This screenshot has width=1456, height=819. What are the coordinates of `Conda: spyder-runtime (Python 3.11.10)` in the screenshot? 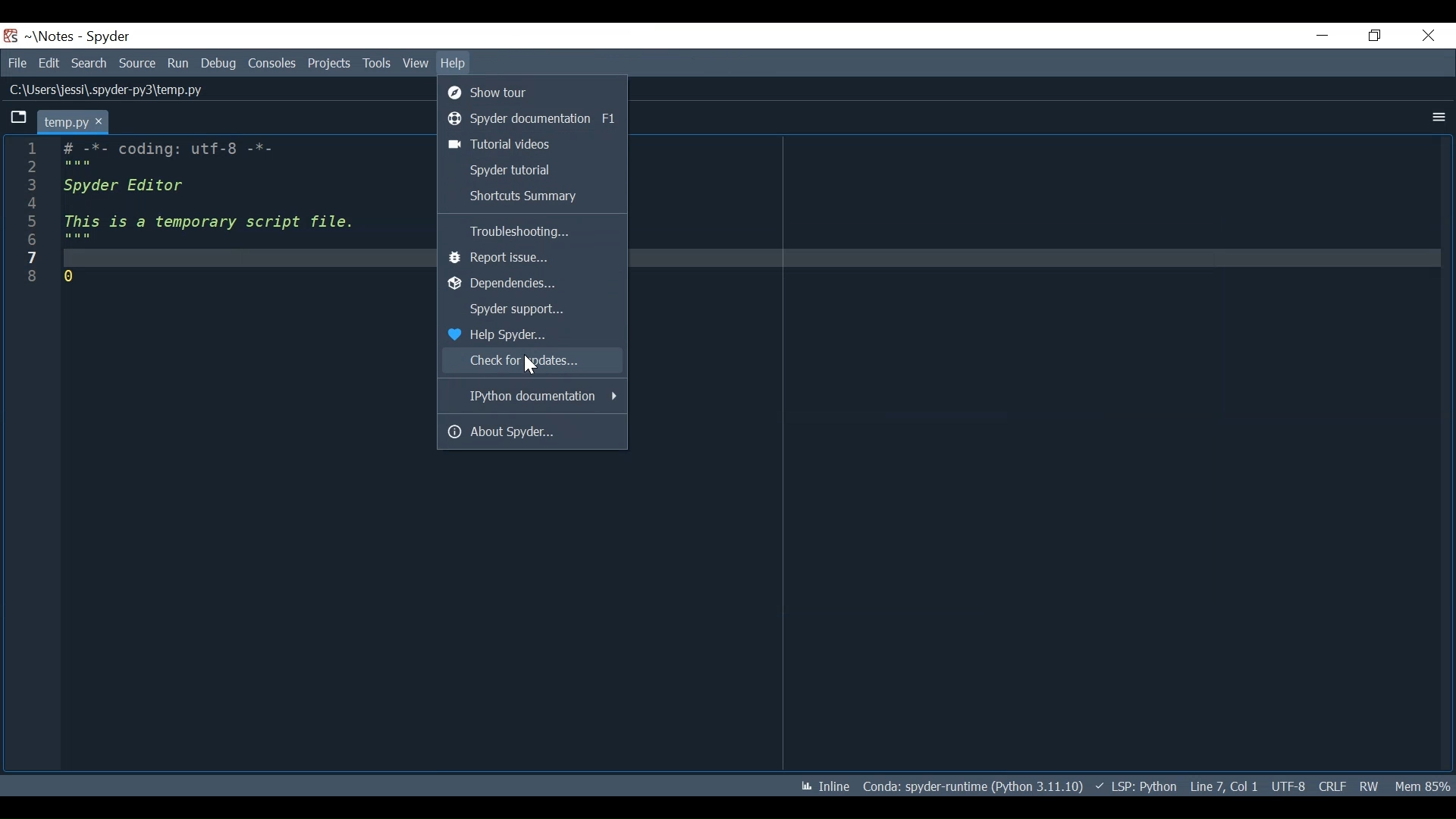 It's located at (974, 786).